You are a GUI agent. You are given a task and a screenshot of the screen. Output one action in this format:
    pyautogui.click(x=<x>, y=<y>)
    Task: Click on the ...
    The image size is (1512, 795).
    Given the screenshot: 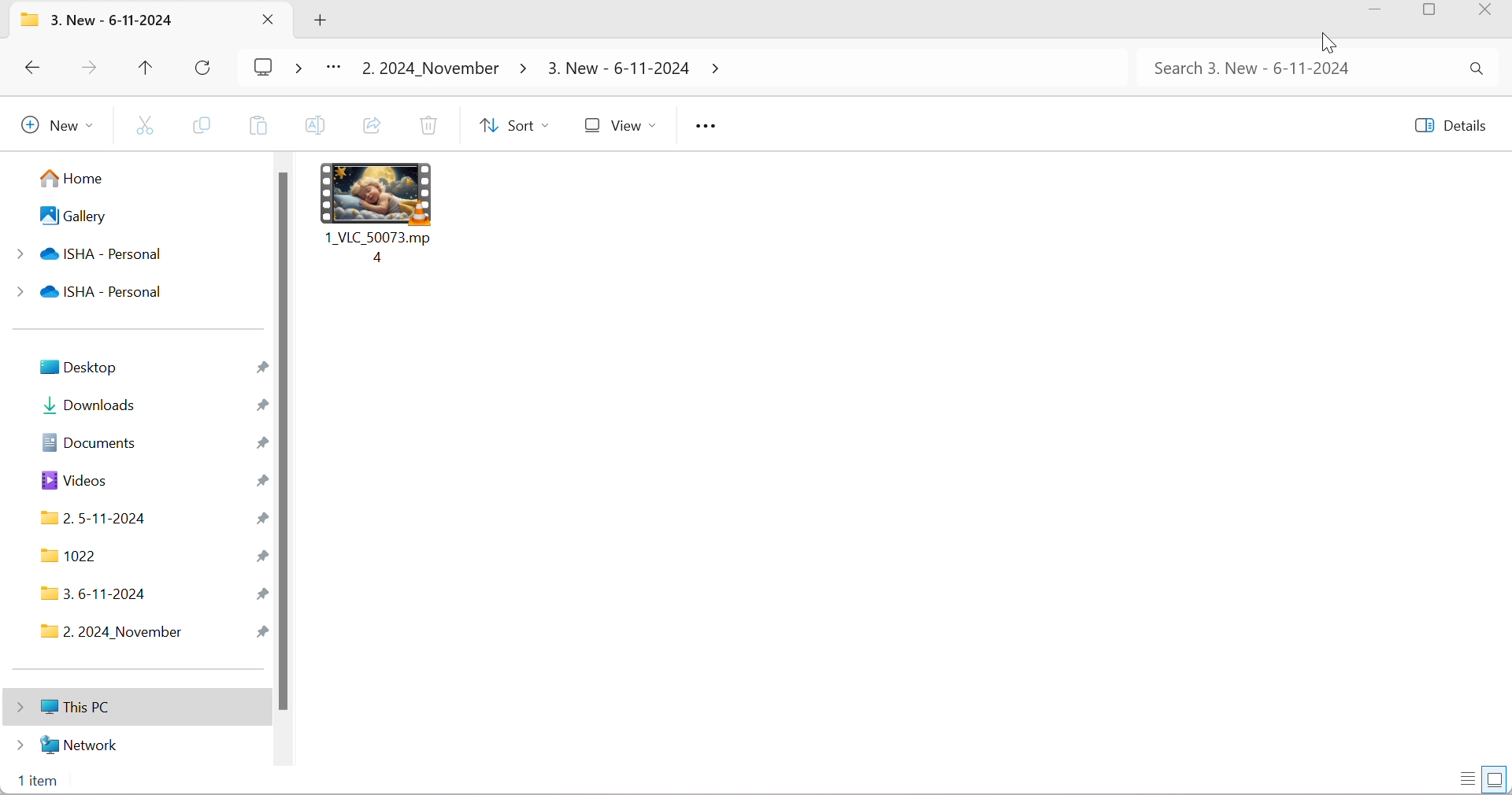 What is the action you would take?
    pyautogui.click(x=338, y=67)
    